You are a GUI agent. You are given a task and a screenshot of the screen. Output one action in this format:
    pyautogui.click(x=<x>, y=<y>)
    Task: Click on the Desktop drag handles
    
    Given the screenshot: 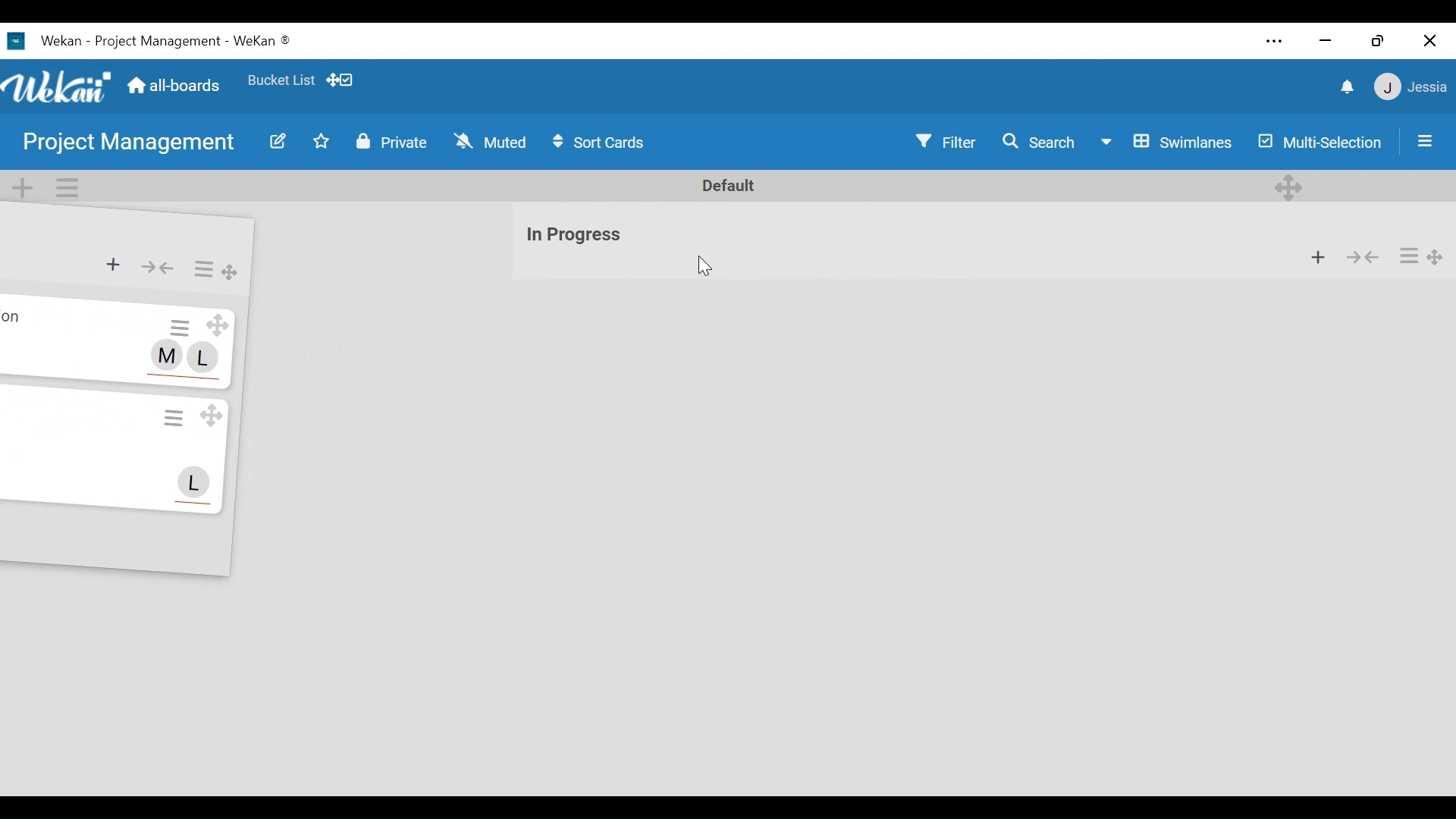 What is the action you would take?
    pyautogui.click(x=1289, y=186)
    